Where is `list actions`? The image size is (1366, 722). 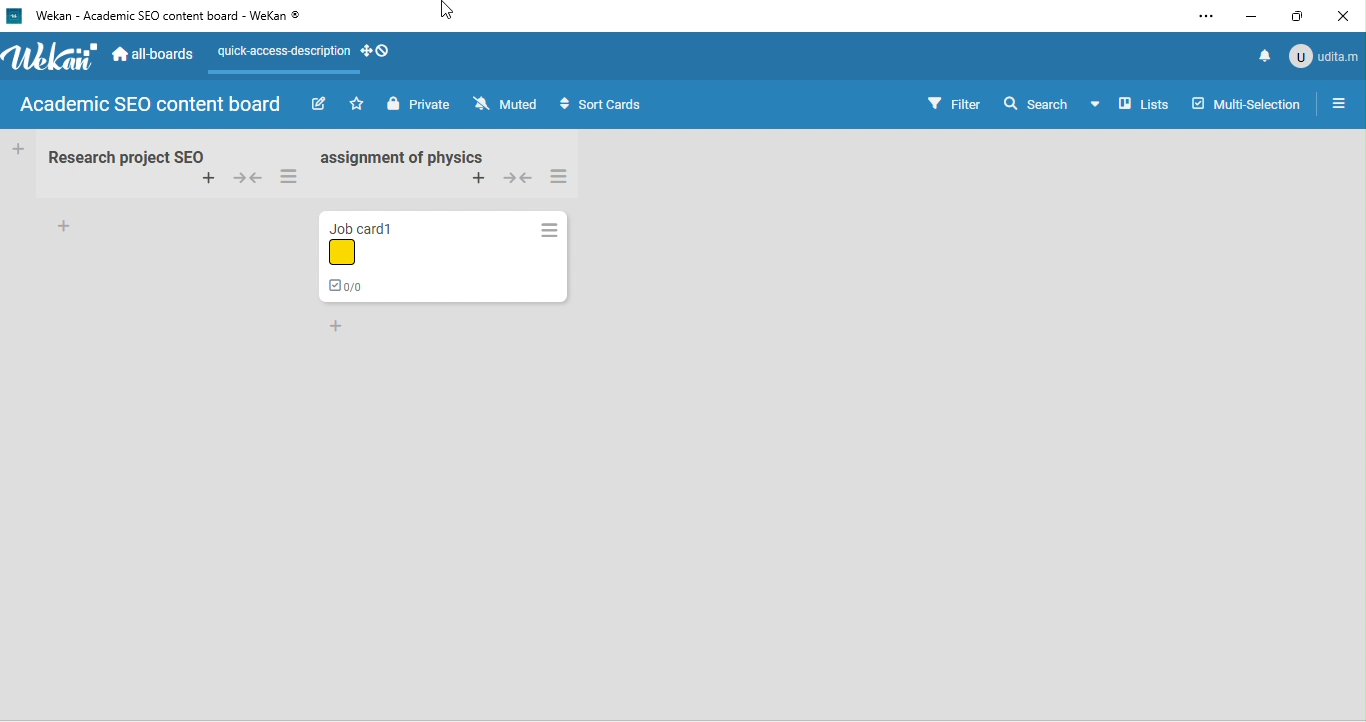
list actions is located at coordinates (570, 178).